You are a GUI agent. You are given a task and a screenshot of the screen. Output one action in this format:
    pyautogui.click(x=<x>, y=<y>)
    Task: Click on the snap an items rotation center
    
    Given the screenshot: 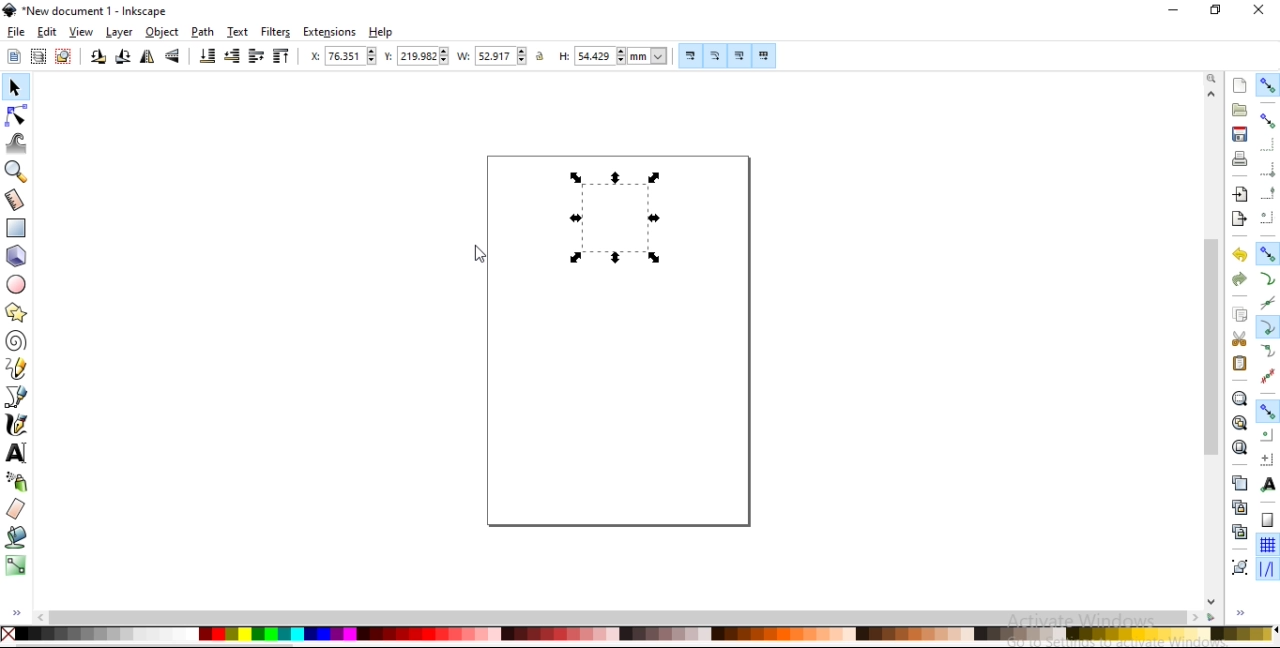 What is the action you would take?
    pyautogui.click(x=1266, y=458)
    